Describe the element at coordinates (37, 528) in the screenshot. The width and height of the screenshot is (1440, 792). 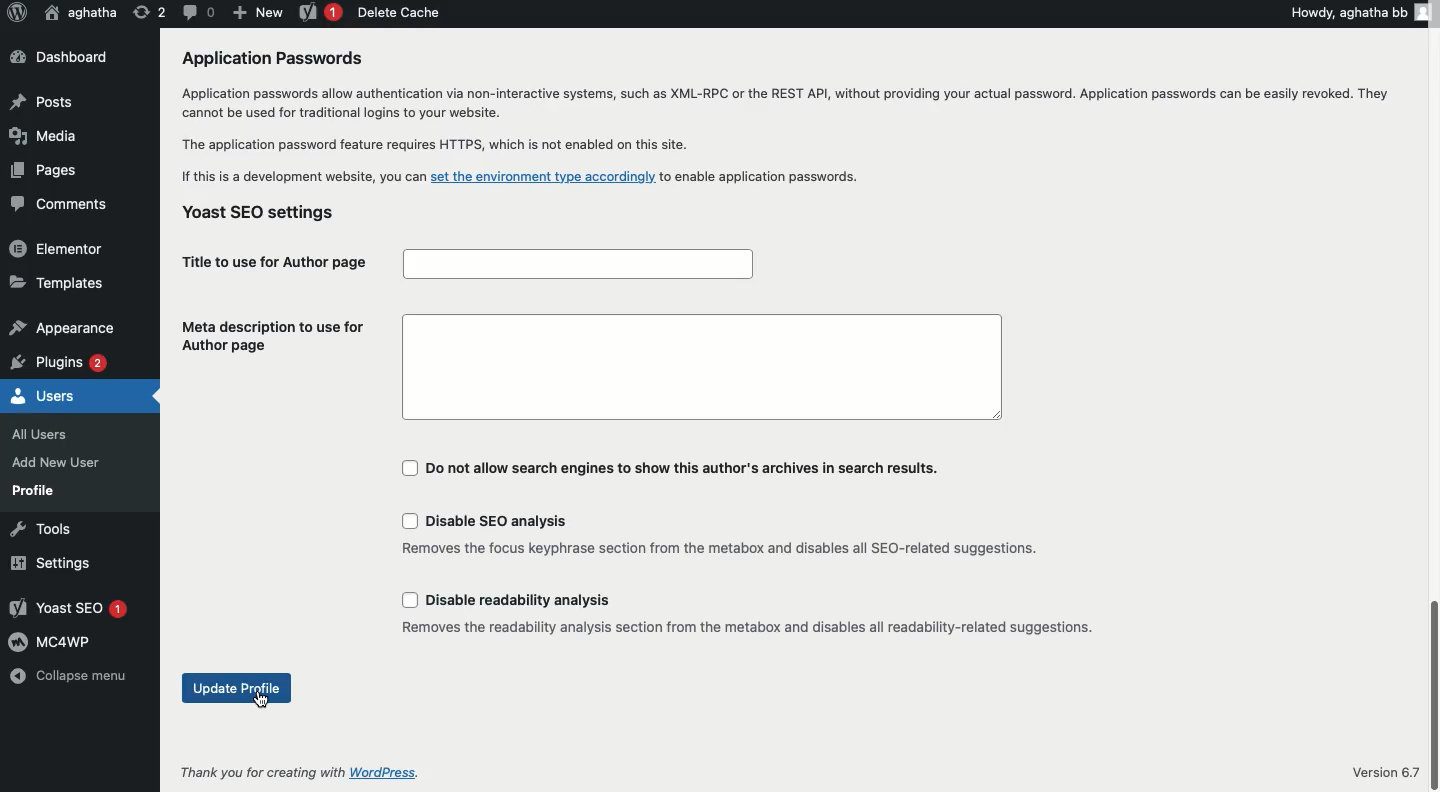
I see `Tools` at that location.